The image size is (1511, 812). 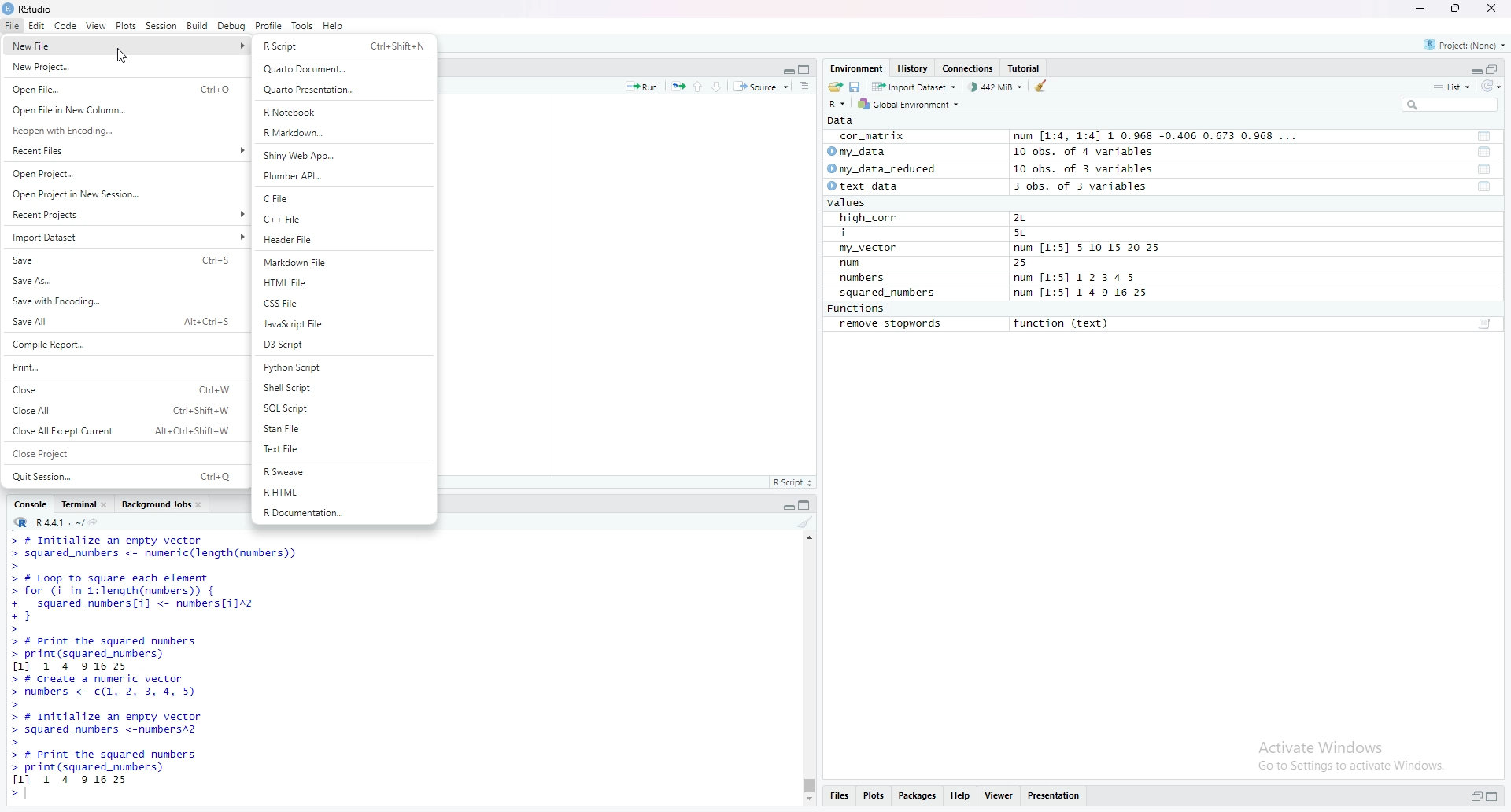 What do you see at coordinates (1472, 798) in the screenshot?
I see `minimize` at bounding box center [1472, 798].